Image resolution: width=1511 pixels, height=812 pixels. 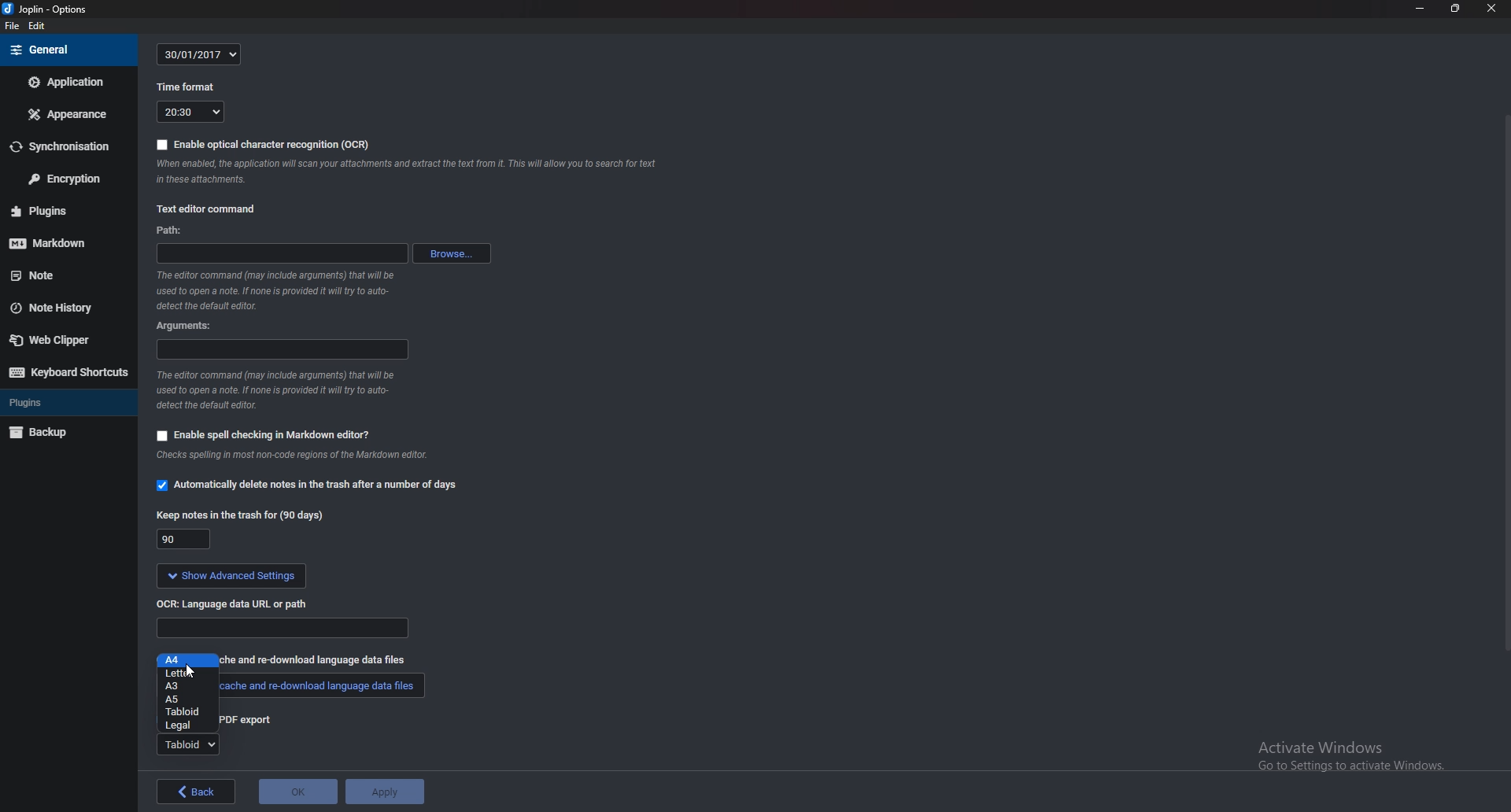 I want to click on Back up, so click(x=64, y=434).